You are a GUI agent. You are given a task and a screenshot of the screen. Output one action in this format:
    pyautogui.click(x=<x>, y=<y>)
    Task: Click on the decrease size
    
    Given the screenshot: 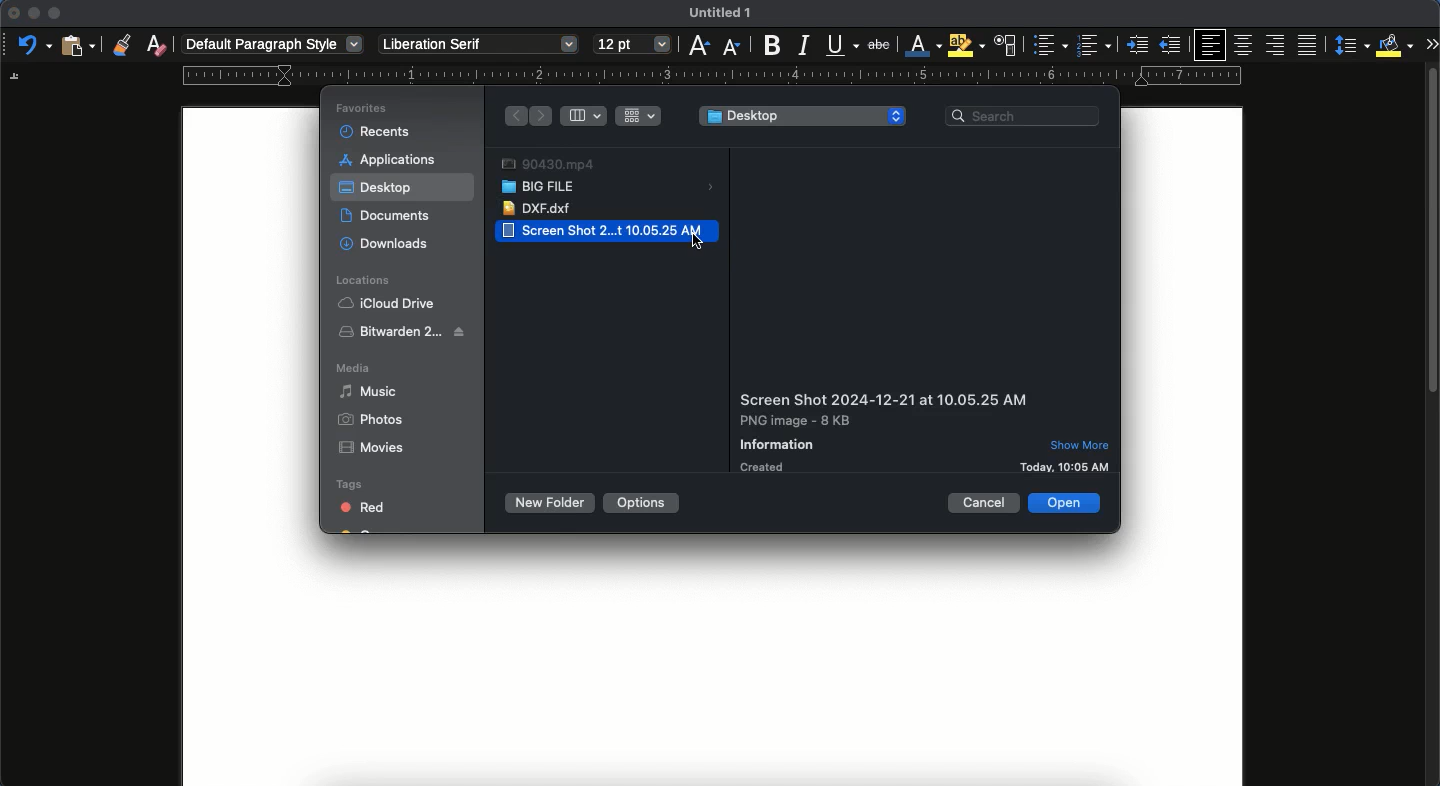 What is the action you would take?
    pyautogui.click(x=732, y=48)
    